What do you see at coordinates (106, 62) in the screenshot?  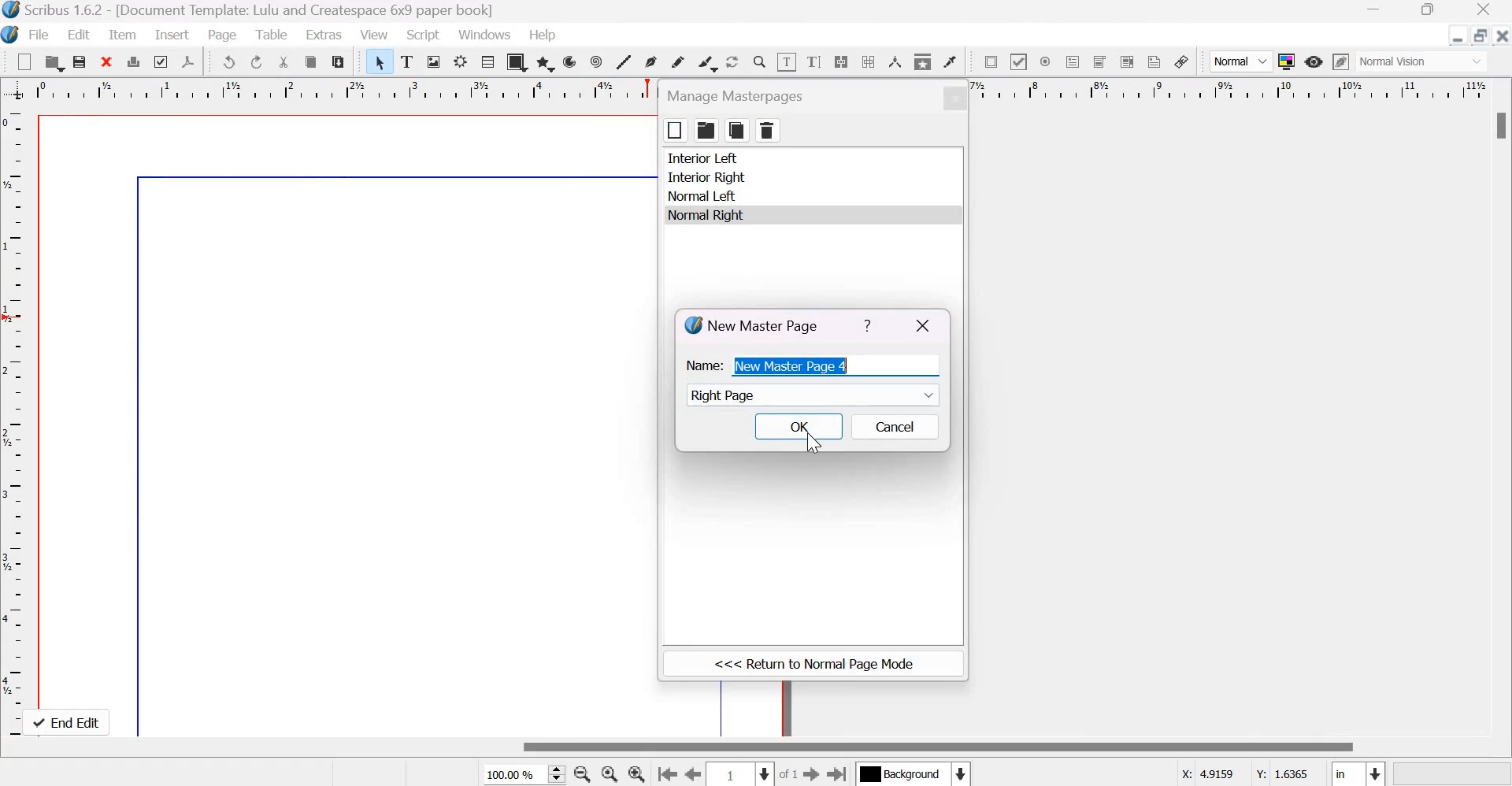 I see `close` at bounding box center [106, 62].